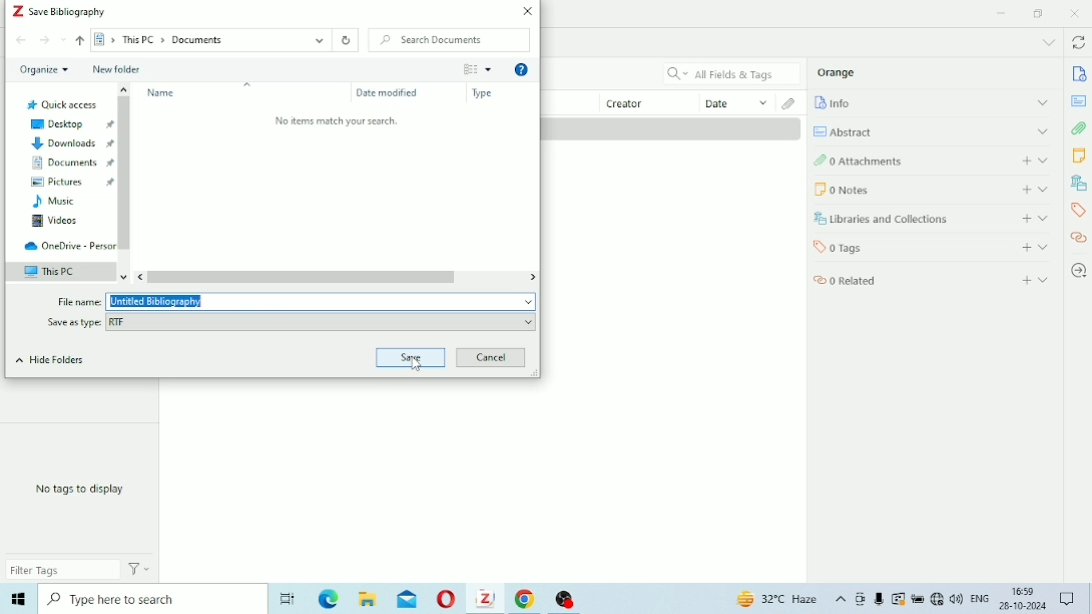 This screenshot has width=1092, height=614. I want to click on Related, so click(1078, 237).